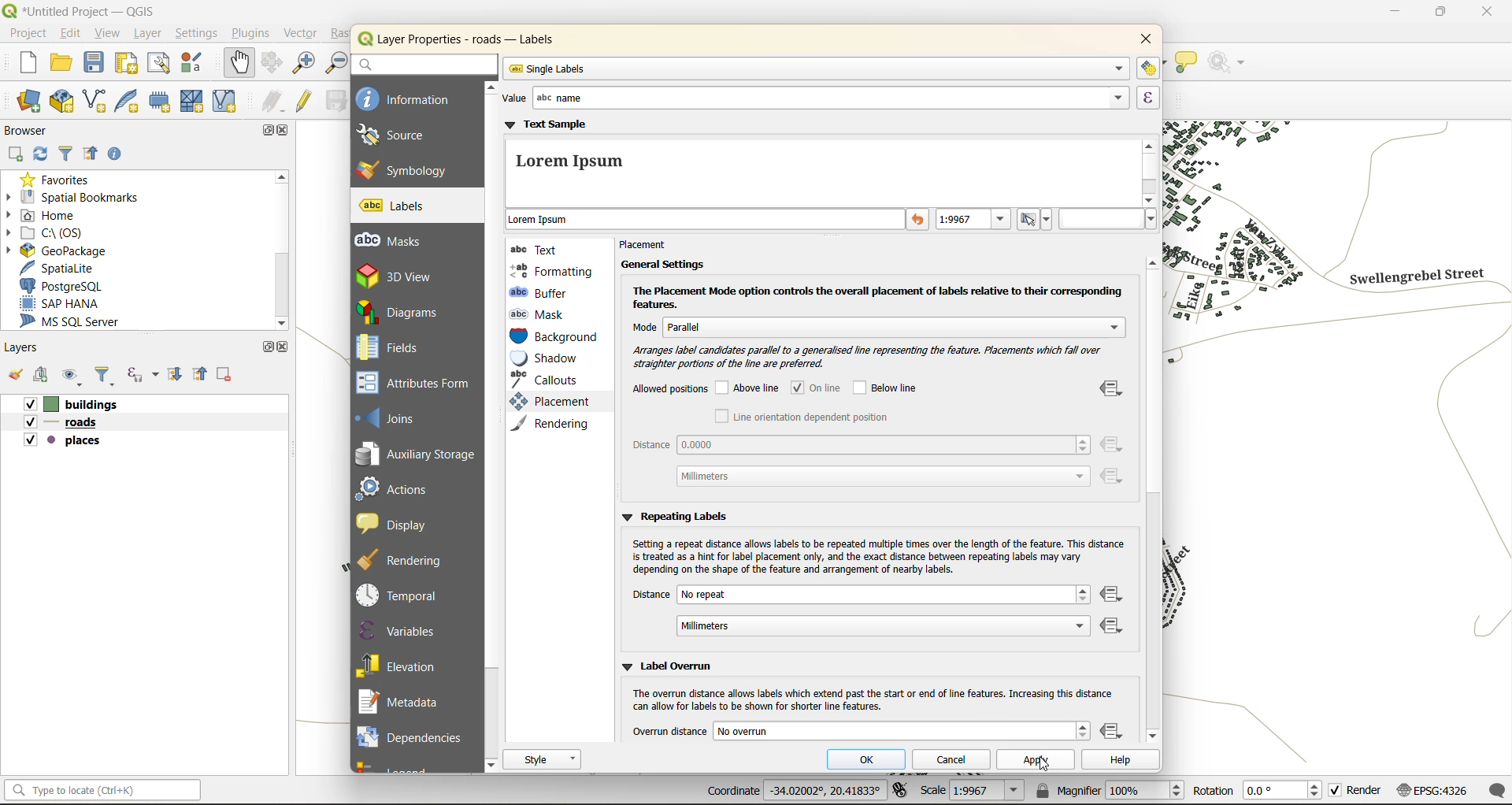 The image size is (1512, 805). I want to click on 3d view, so click(408, 276).